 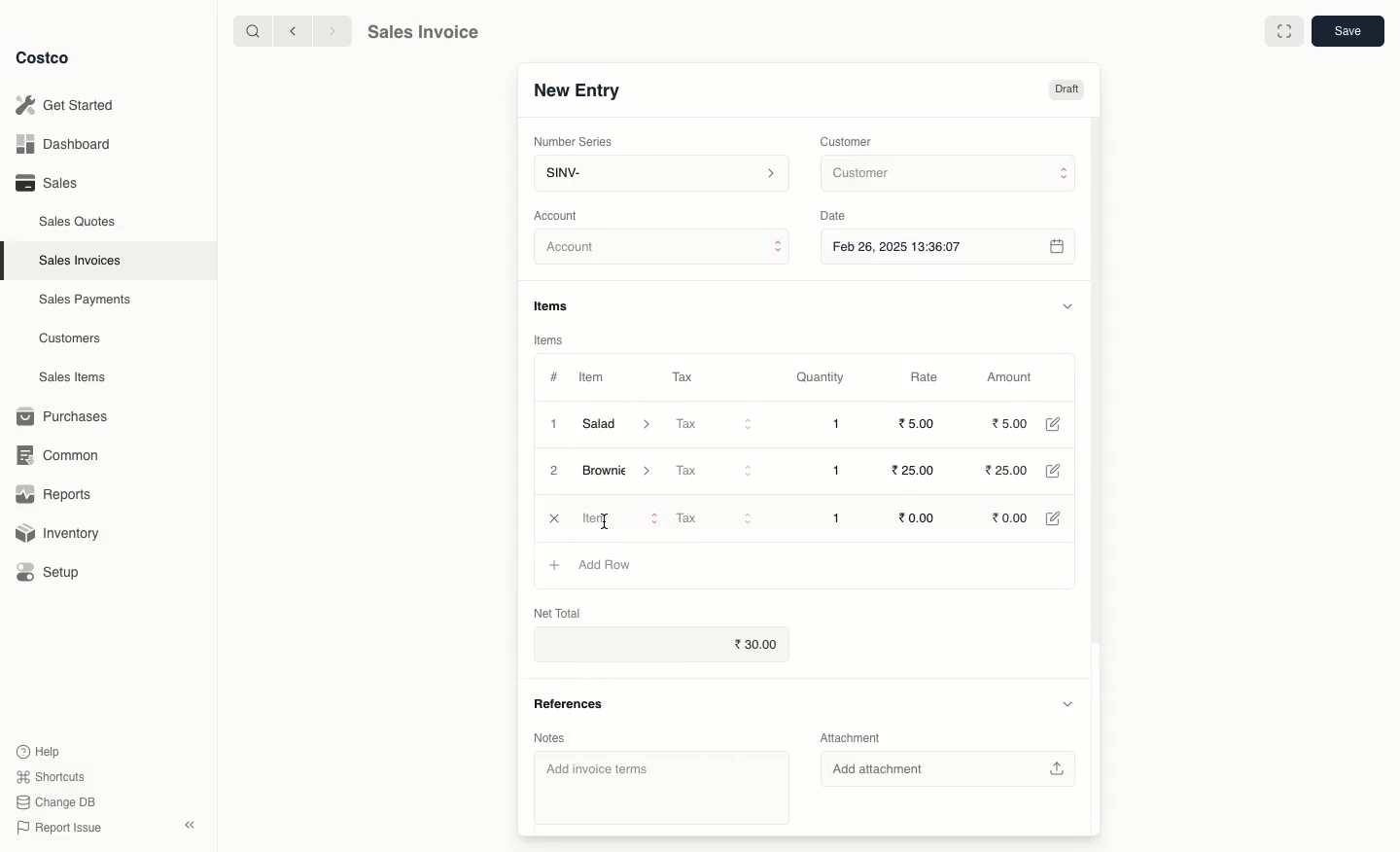 I want to click on Item, so click(x=594, y=379).